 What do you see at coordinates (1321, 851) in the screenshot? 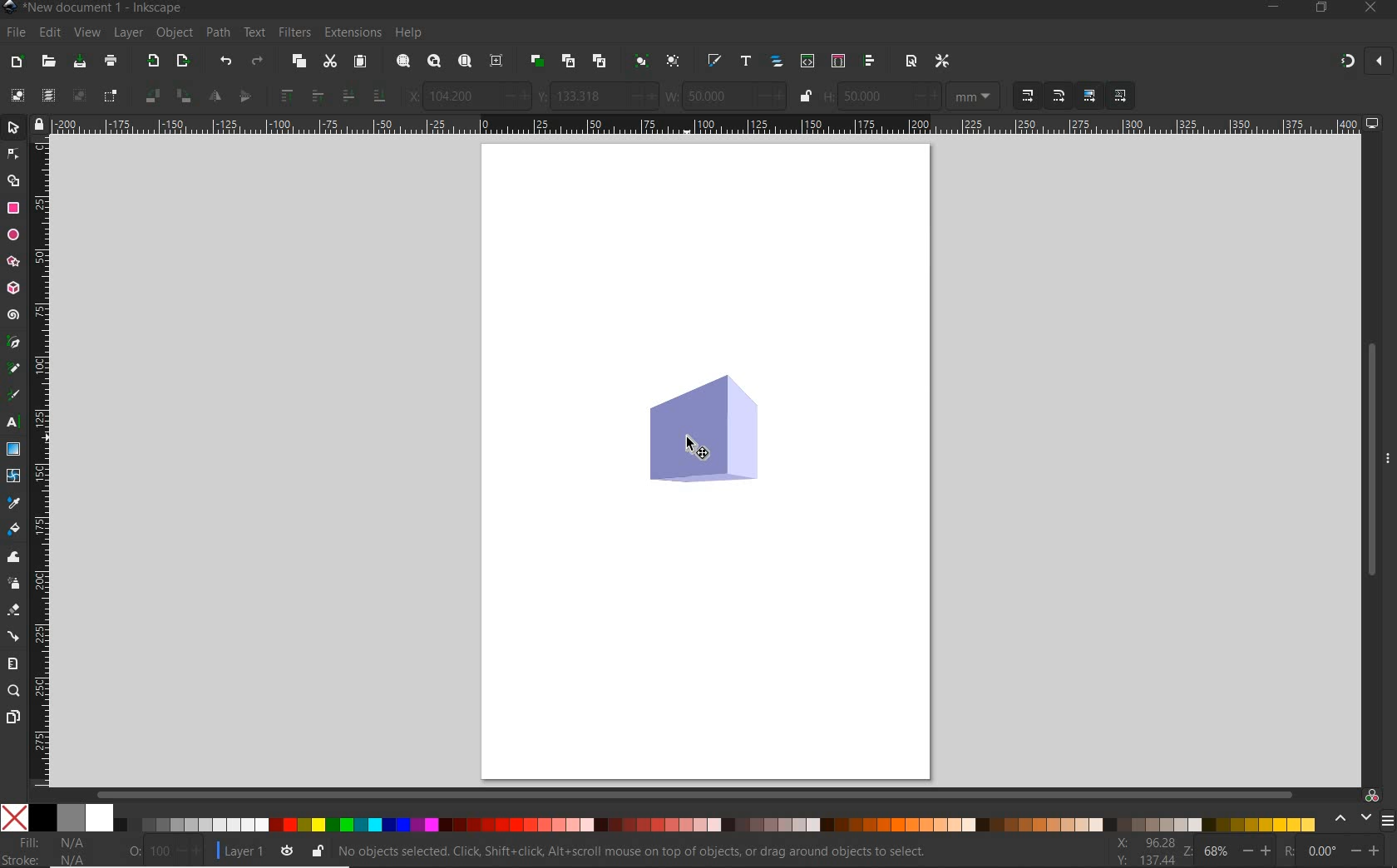
I see `0` at bounding box center [1321, 851].